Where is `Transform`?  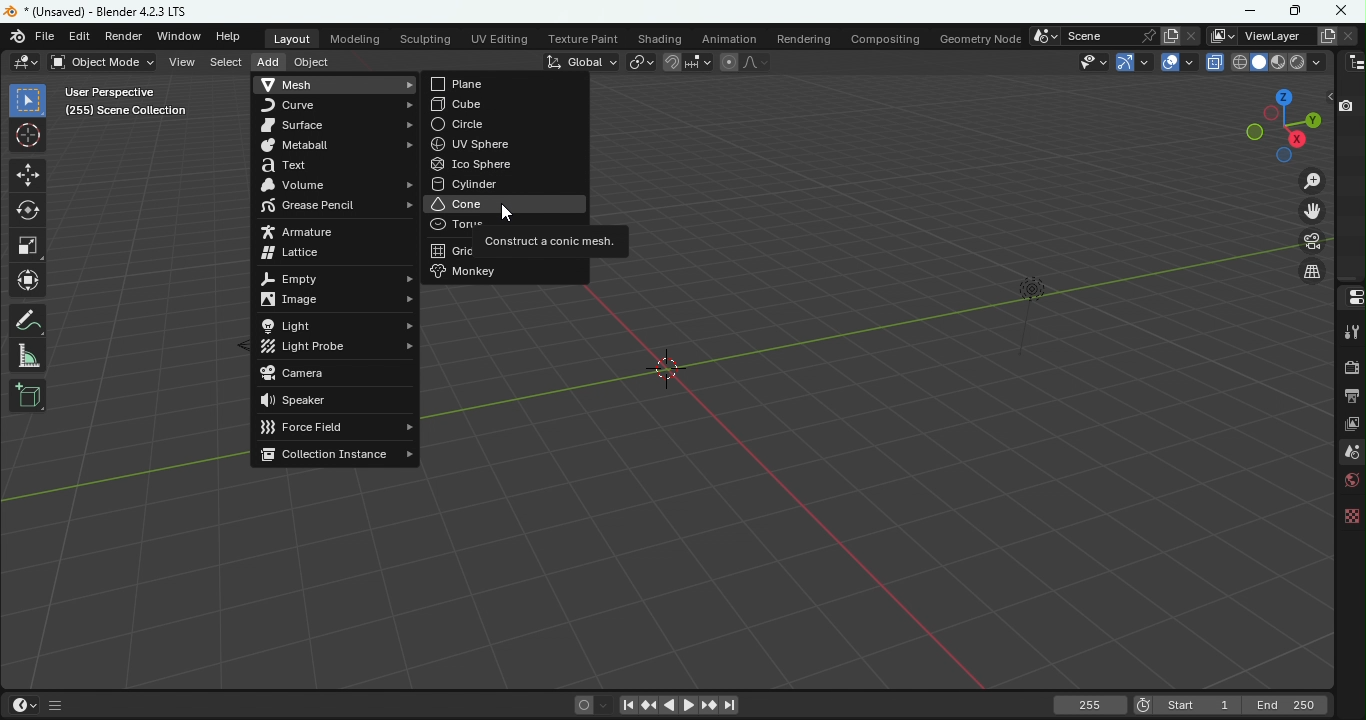
Transform is located at coordinates (28, 282).